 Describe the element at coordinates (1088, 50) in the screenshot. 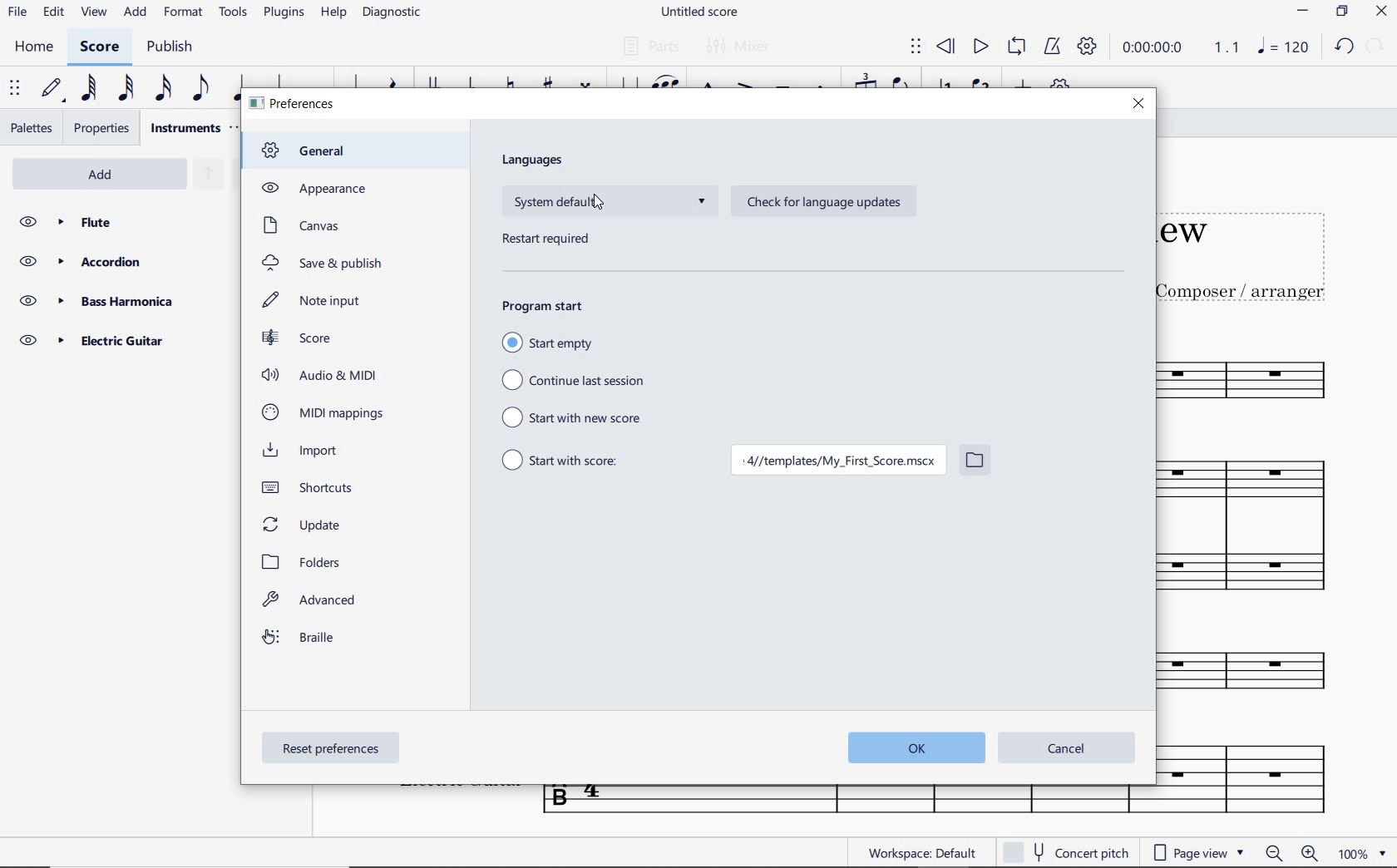

I see `playback settings` at that location.